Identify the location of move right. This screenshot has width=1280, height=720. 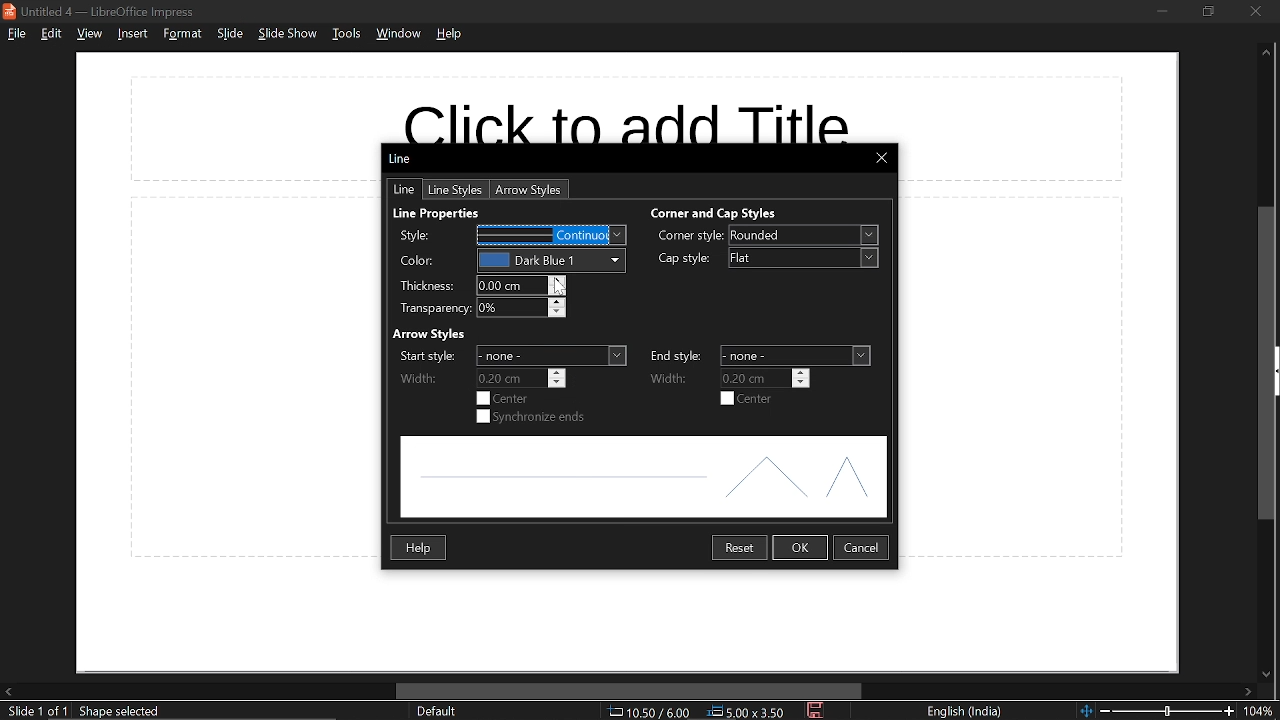
(1253, 690).